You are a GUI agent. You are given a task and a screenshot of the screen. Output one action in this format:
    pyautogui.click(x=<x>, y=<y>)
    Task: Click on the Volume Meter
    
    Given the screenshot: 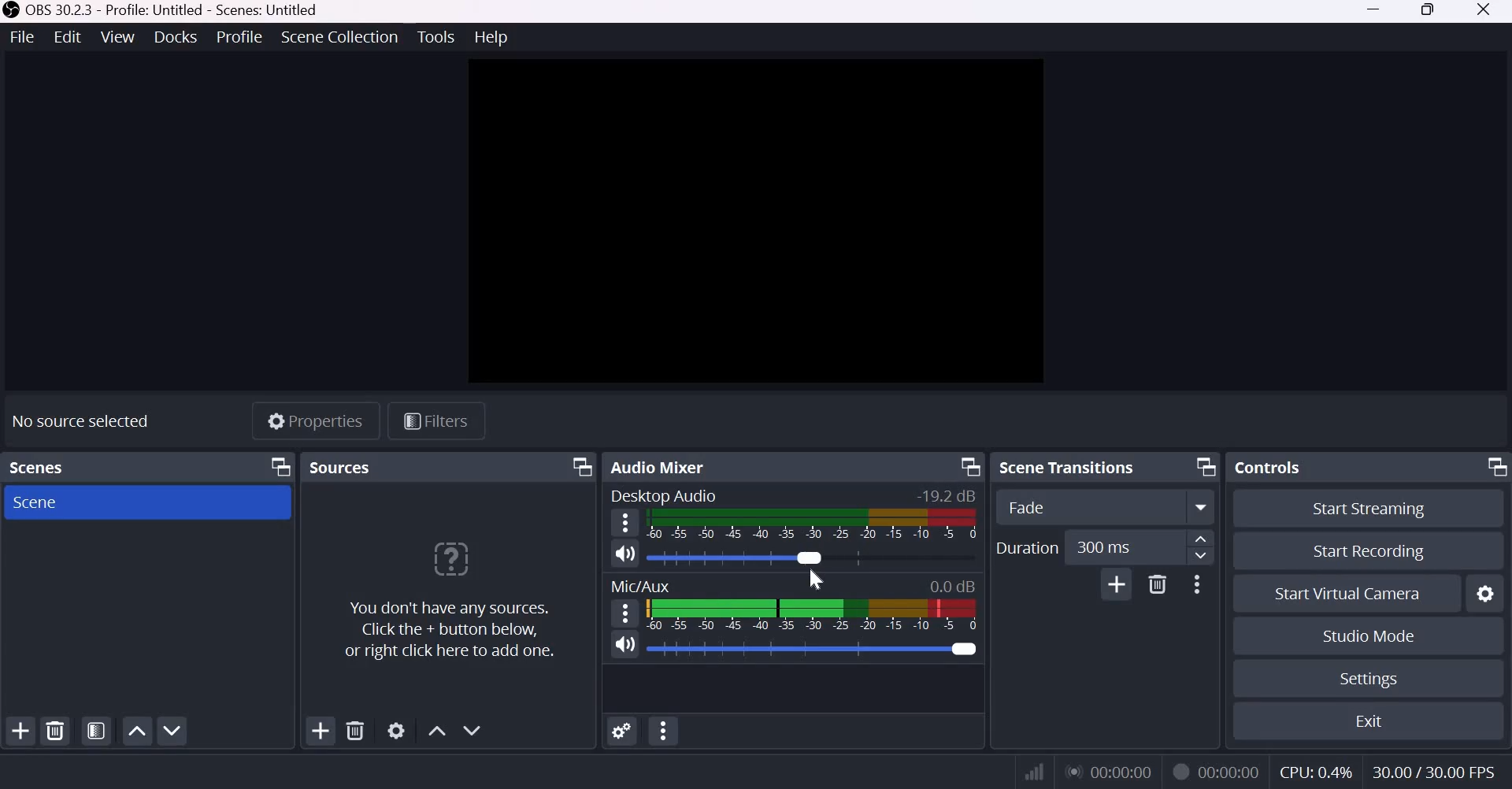 What is the action you would take?
    pyautogui.click(x=811, y=524)
    